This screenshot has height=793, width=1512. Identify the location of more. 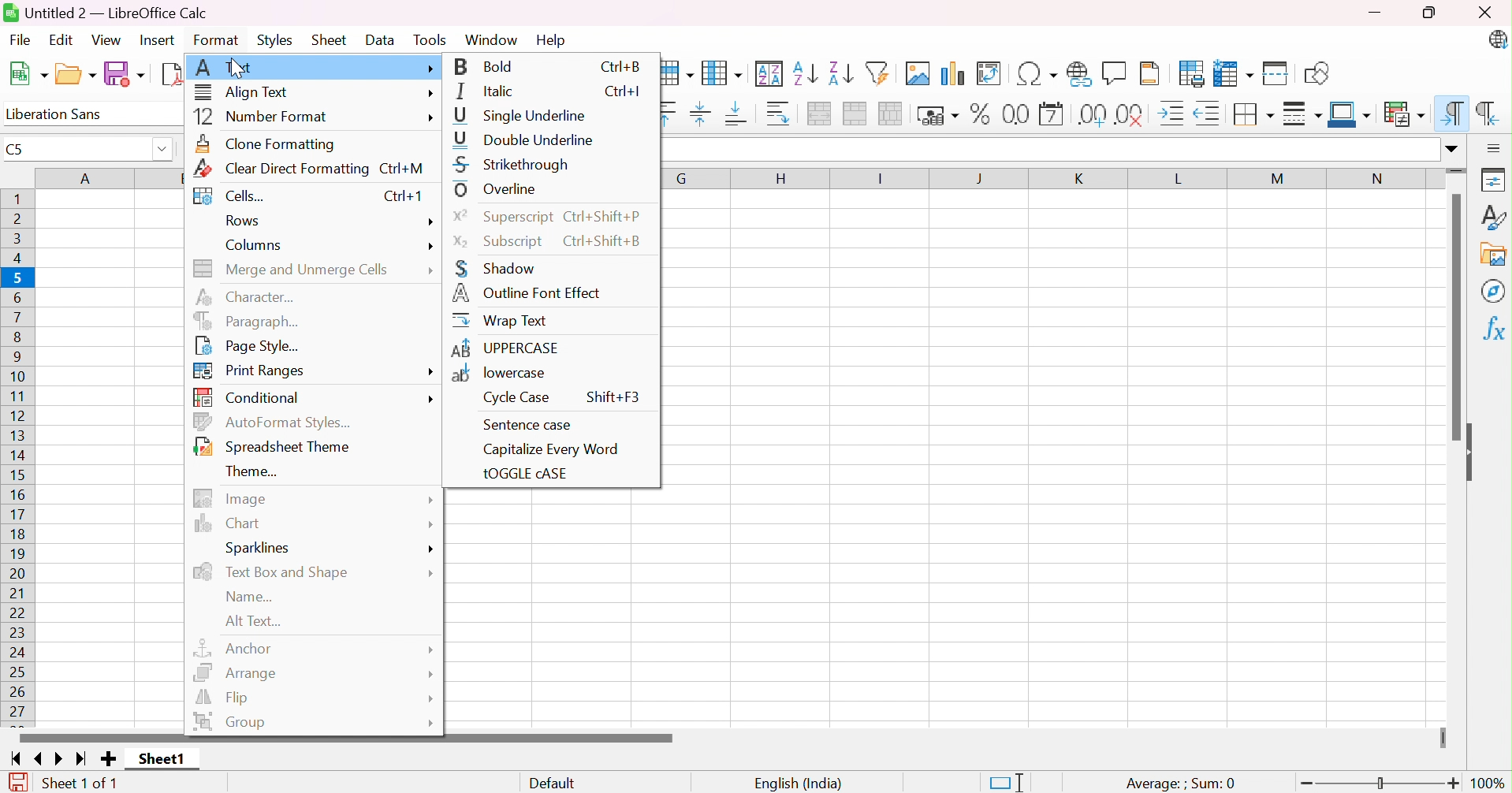
(430, 374).